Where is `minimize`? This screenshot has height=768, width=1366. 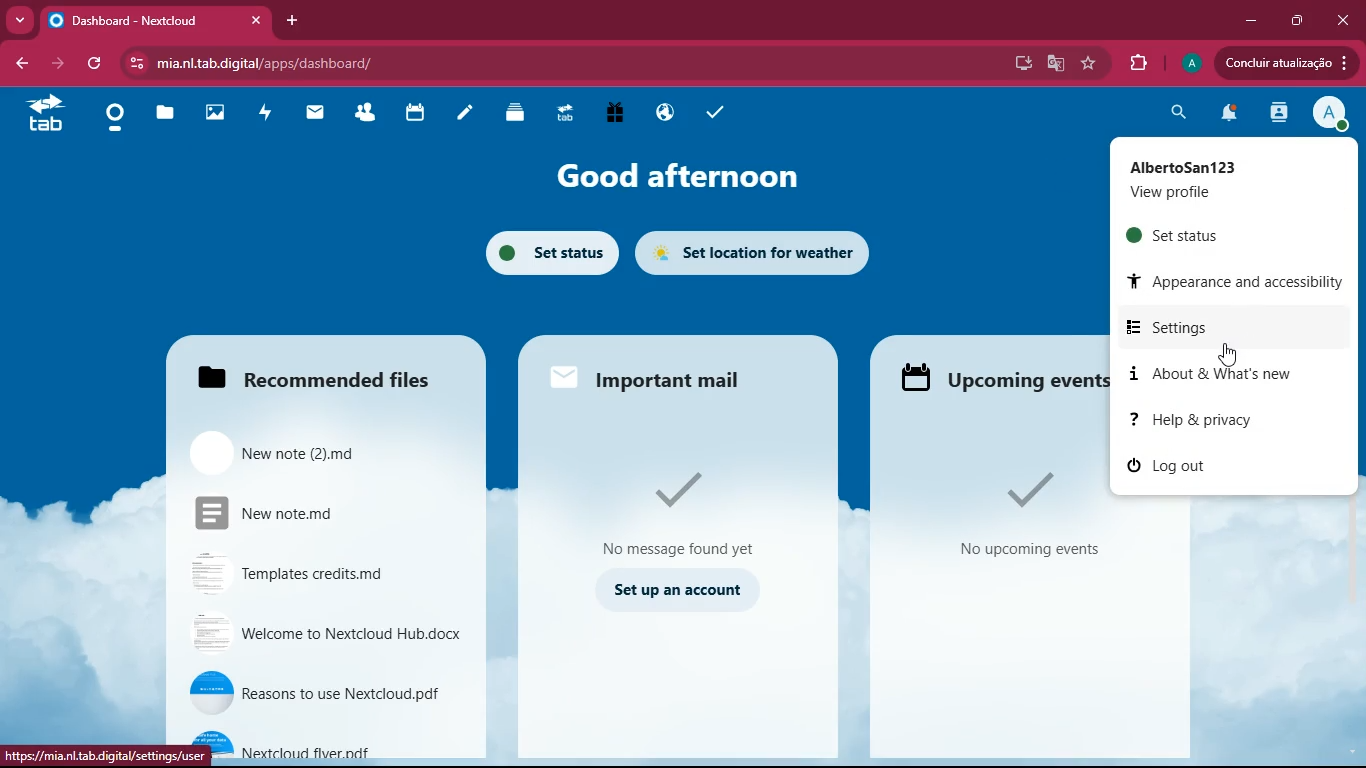
minimize is located at coordinates (1250, 21).